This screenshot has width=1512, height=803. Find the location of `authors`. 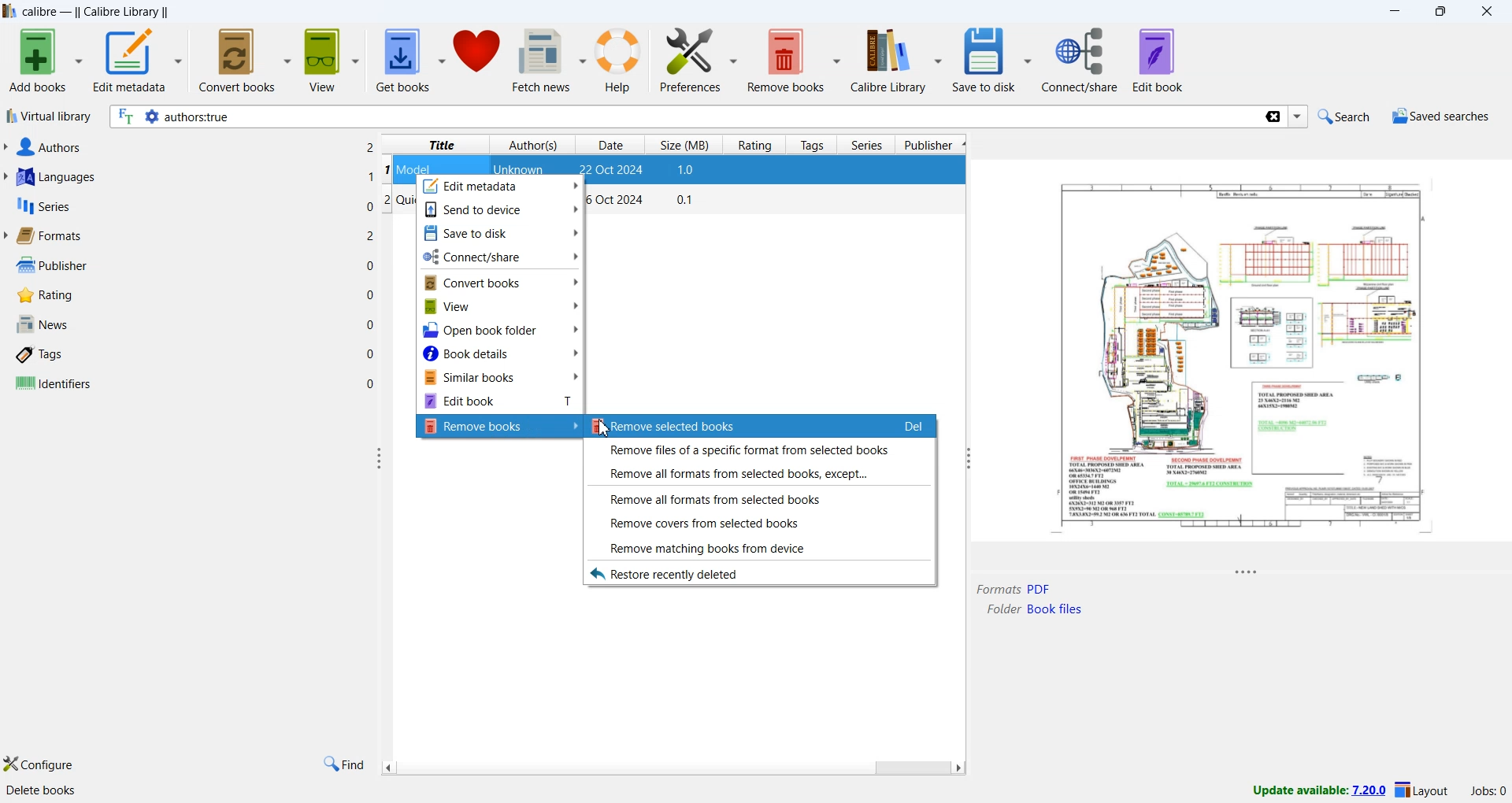

authors is located at coordinates (46, 147).